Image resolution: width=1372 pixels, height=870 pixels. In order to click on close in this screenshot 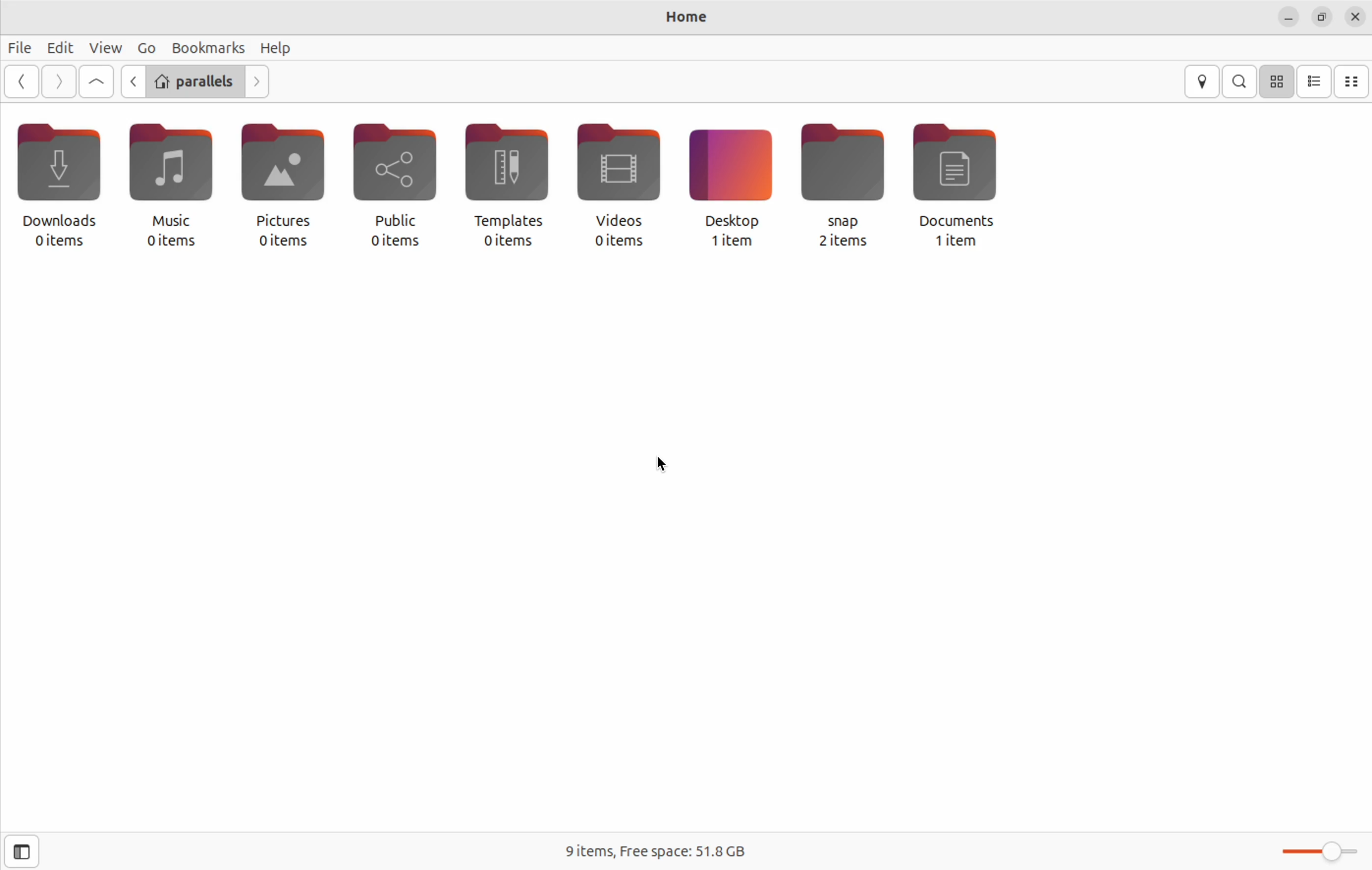, I will do `click(1355, 16)`.